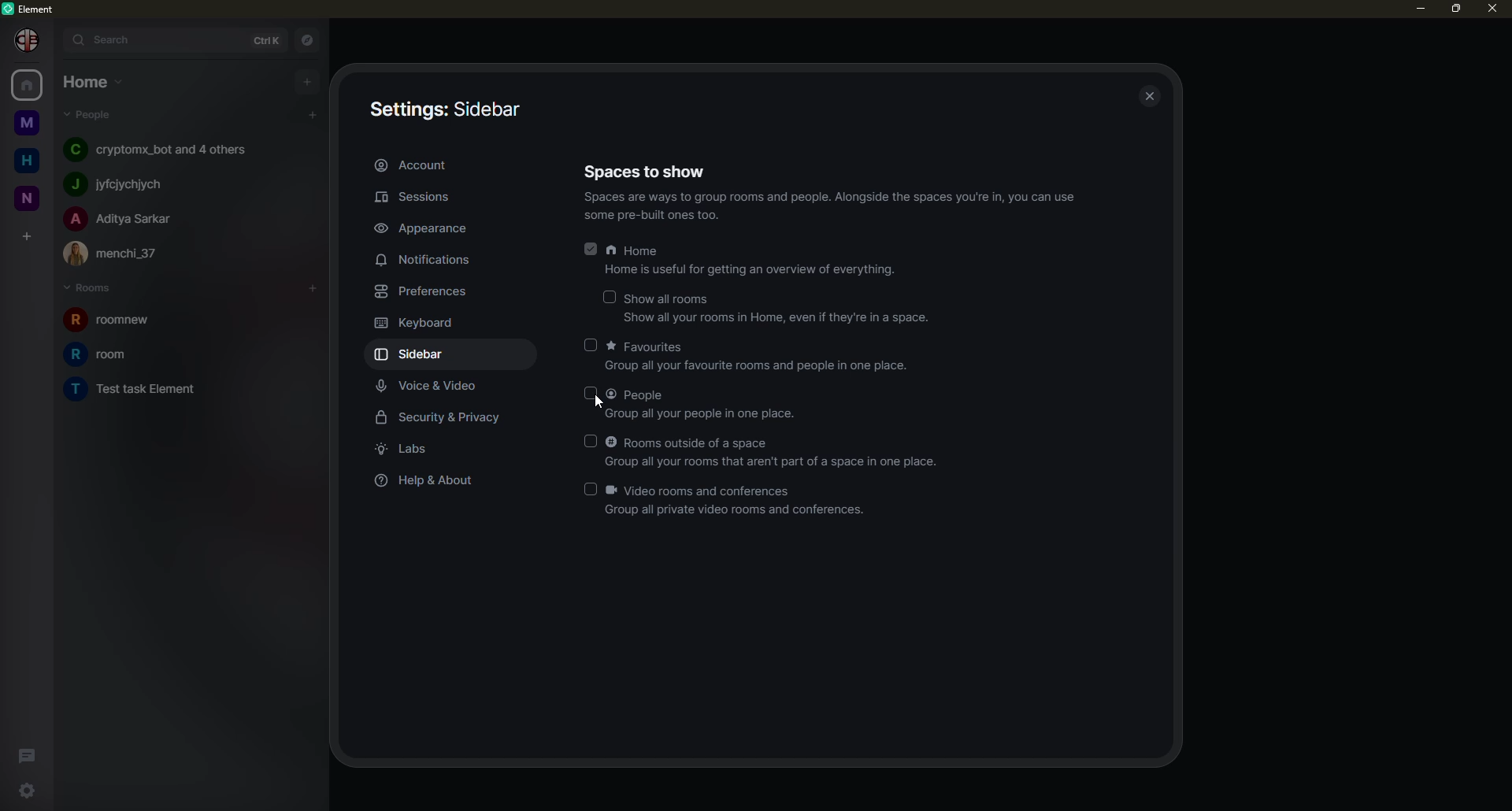 The image size is (1512, 811). Describe the element at coordinates (22, 39) in the screenshot. I see `profile` at that location.